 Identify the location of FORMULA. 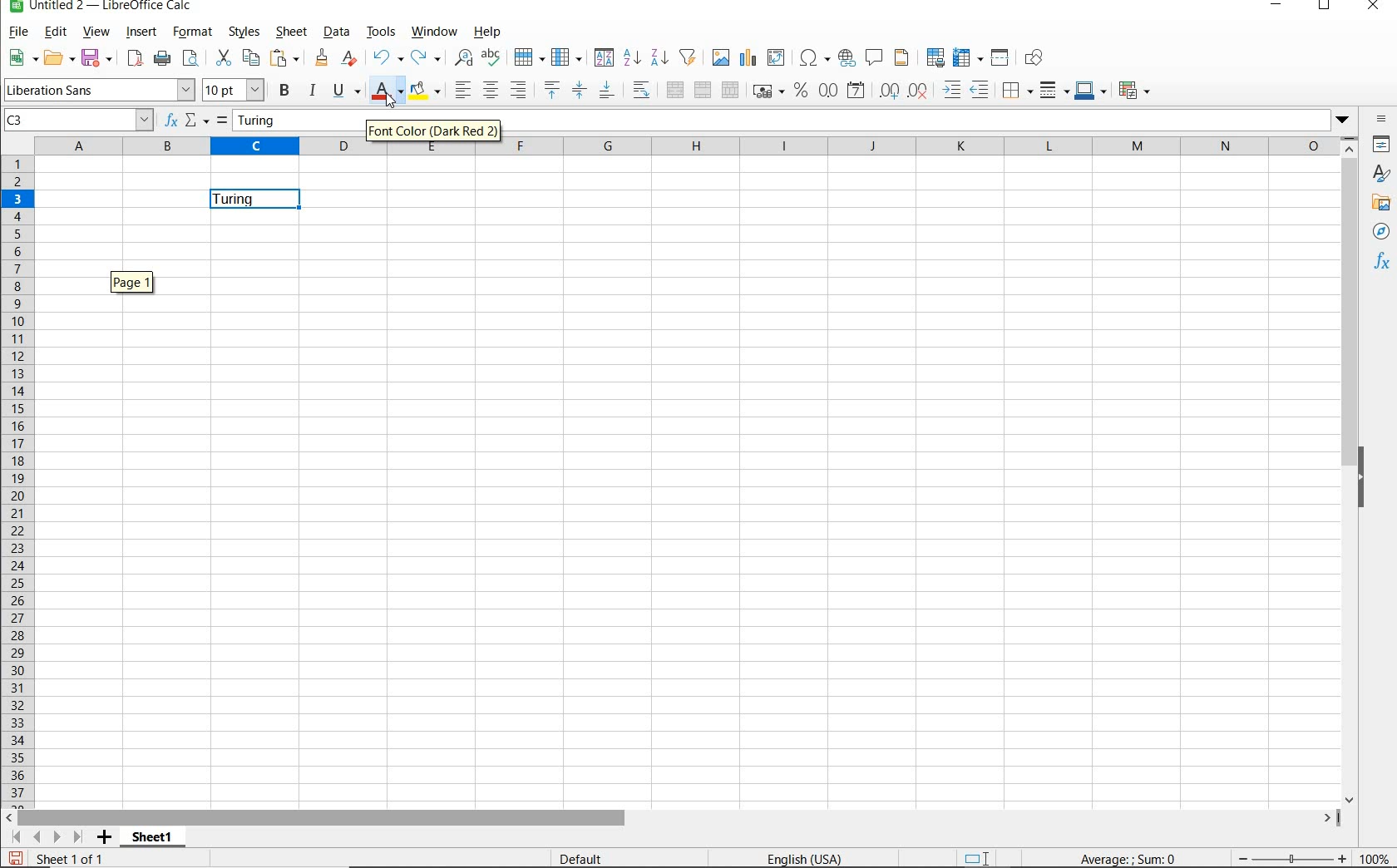
(221, 121).